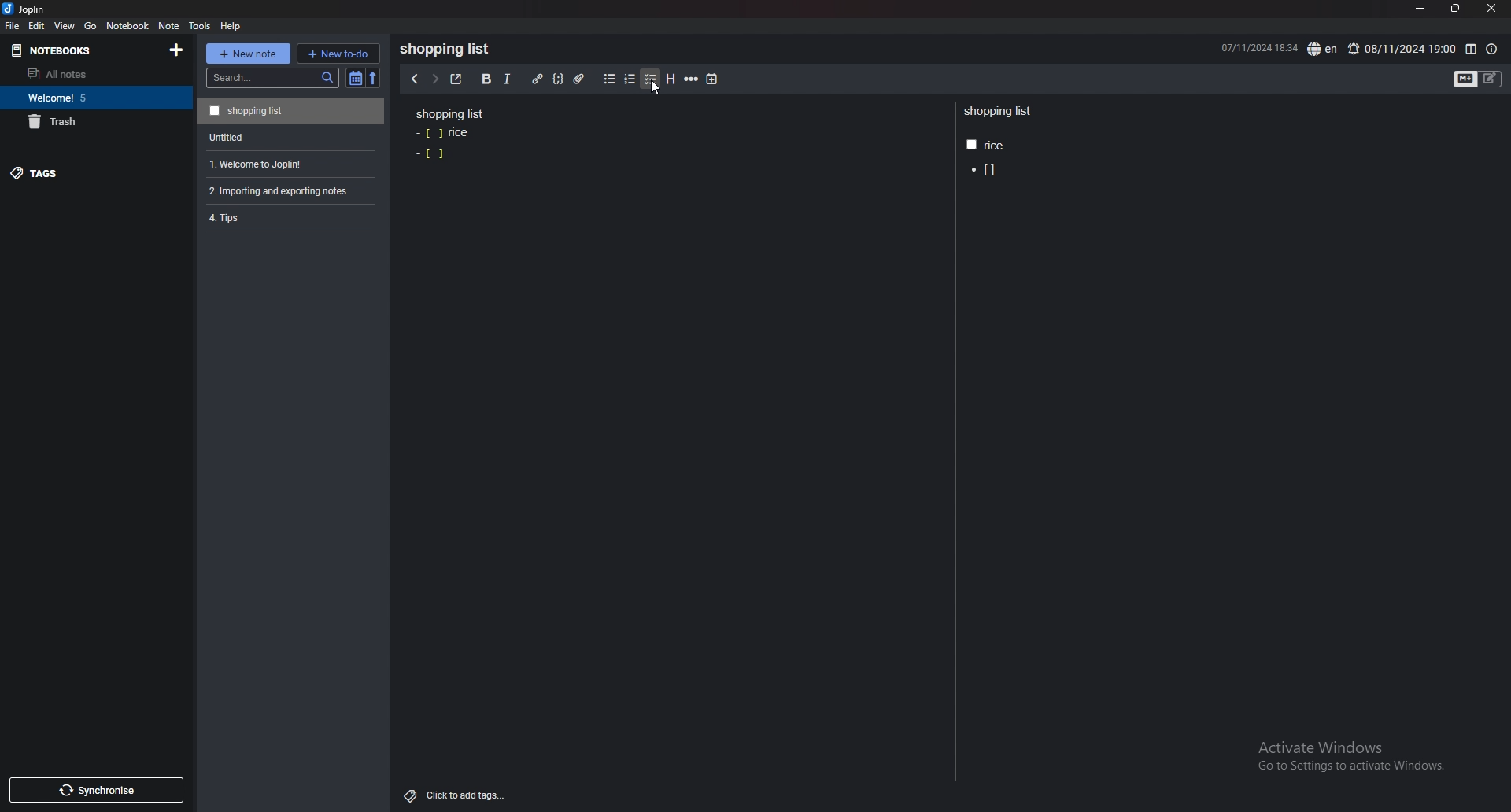 The height and width of the screenshot is (812, 1511). What do you see at coordinates (1420, 9) in the screenshot?
I see `minimize` at bounding box center [1420, 9].